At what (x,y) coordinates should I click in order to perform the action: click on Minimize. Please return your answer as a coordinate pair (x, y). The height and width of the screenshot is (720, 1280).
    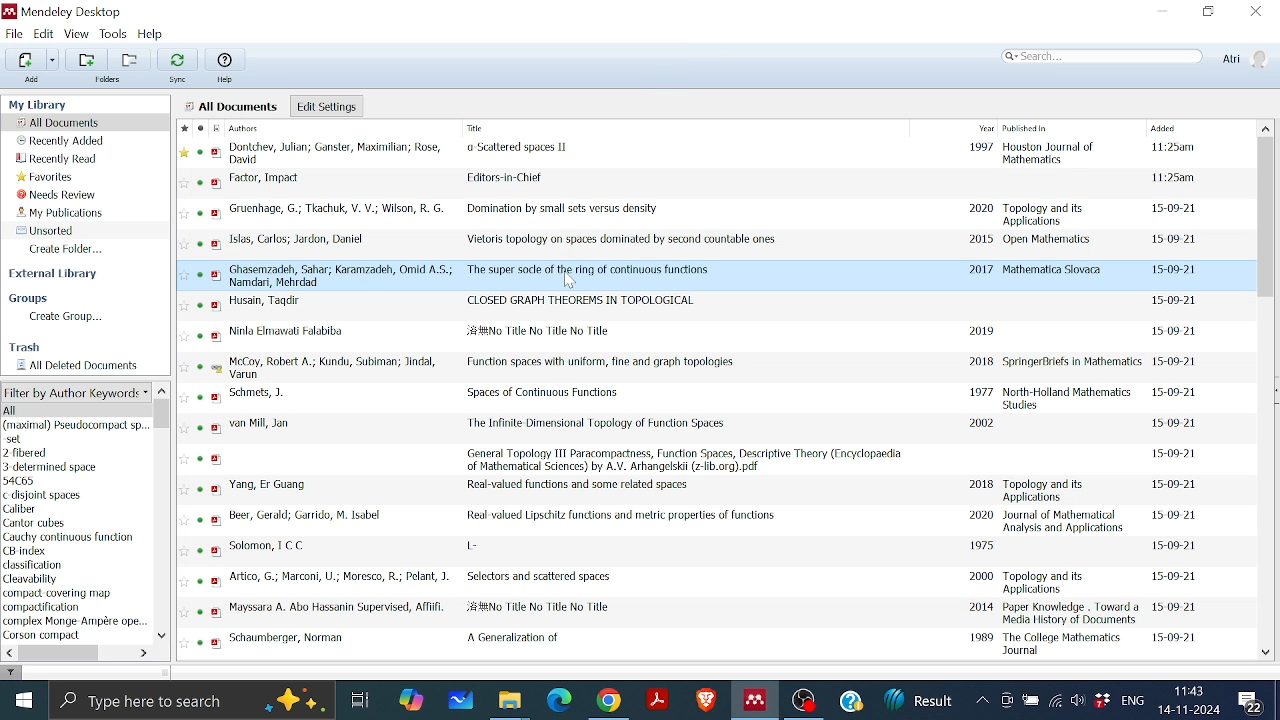
    Looking at the image, I should click on (1161, 10).